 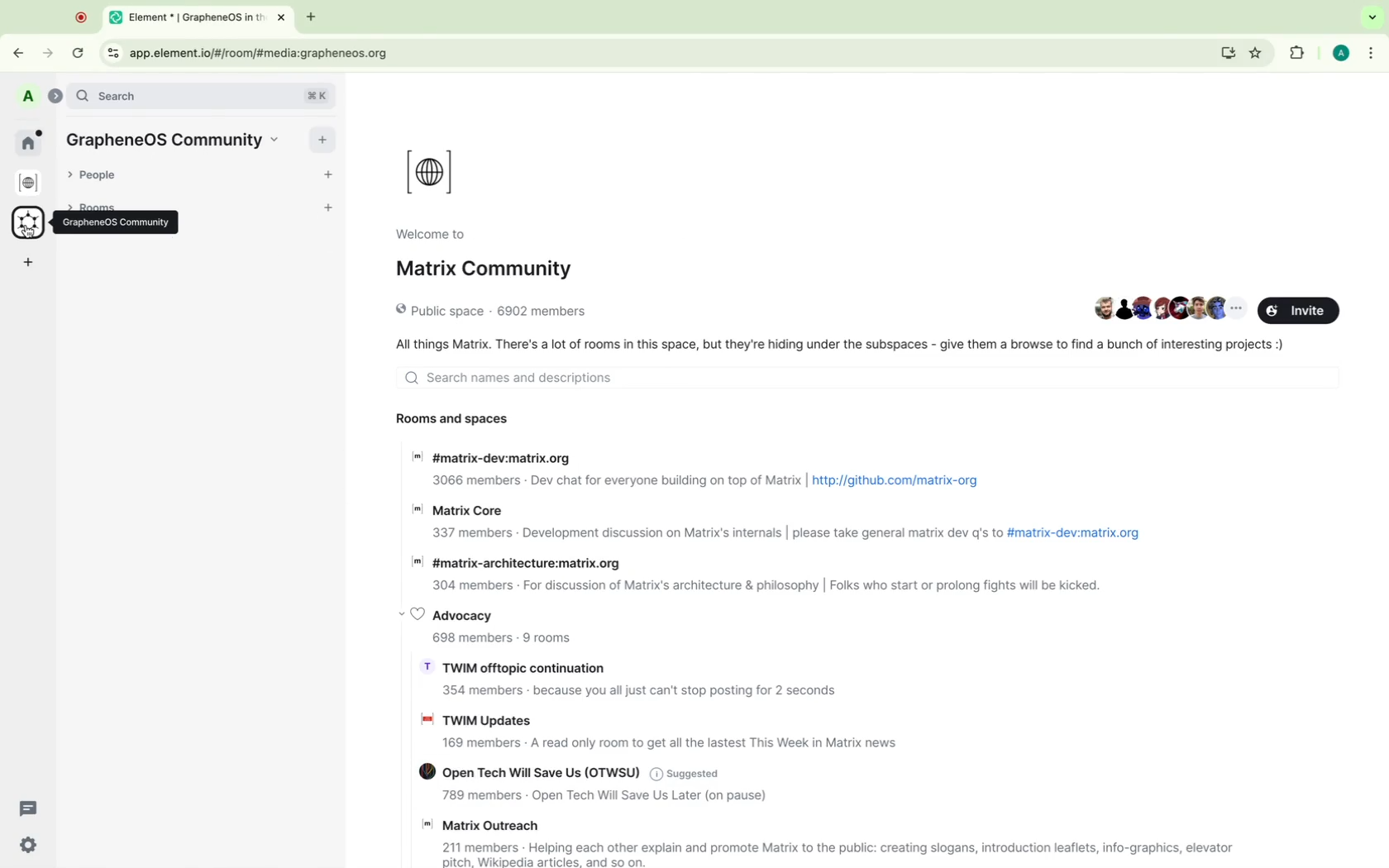 What do you see at coordinates (1372, 51) in the screenshot?
I see `more` at bounding box center [1372, 51].